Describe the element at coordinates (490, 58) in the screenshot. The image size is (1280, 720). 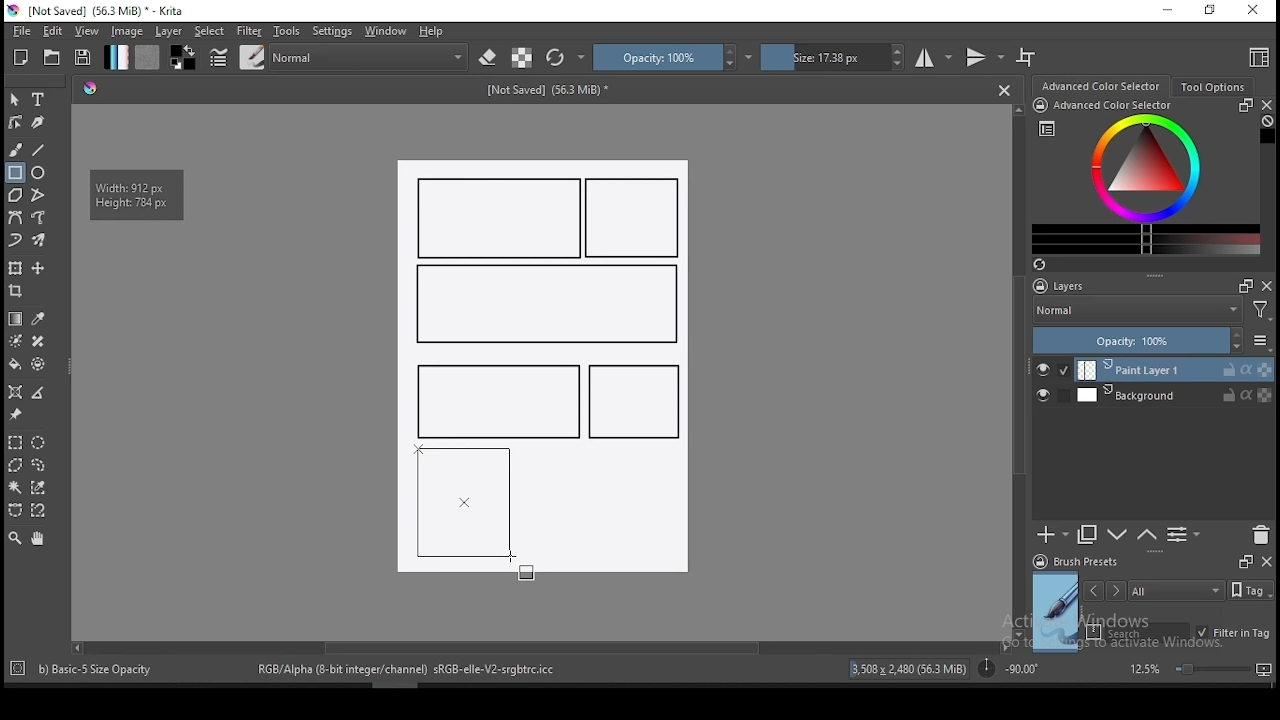
I see `set eraser mode` at that location.